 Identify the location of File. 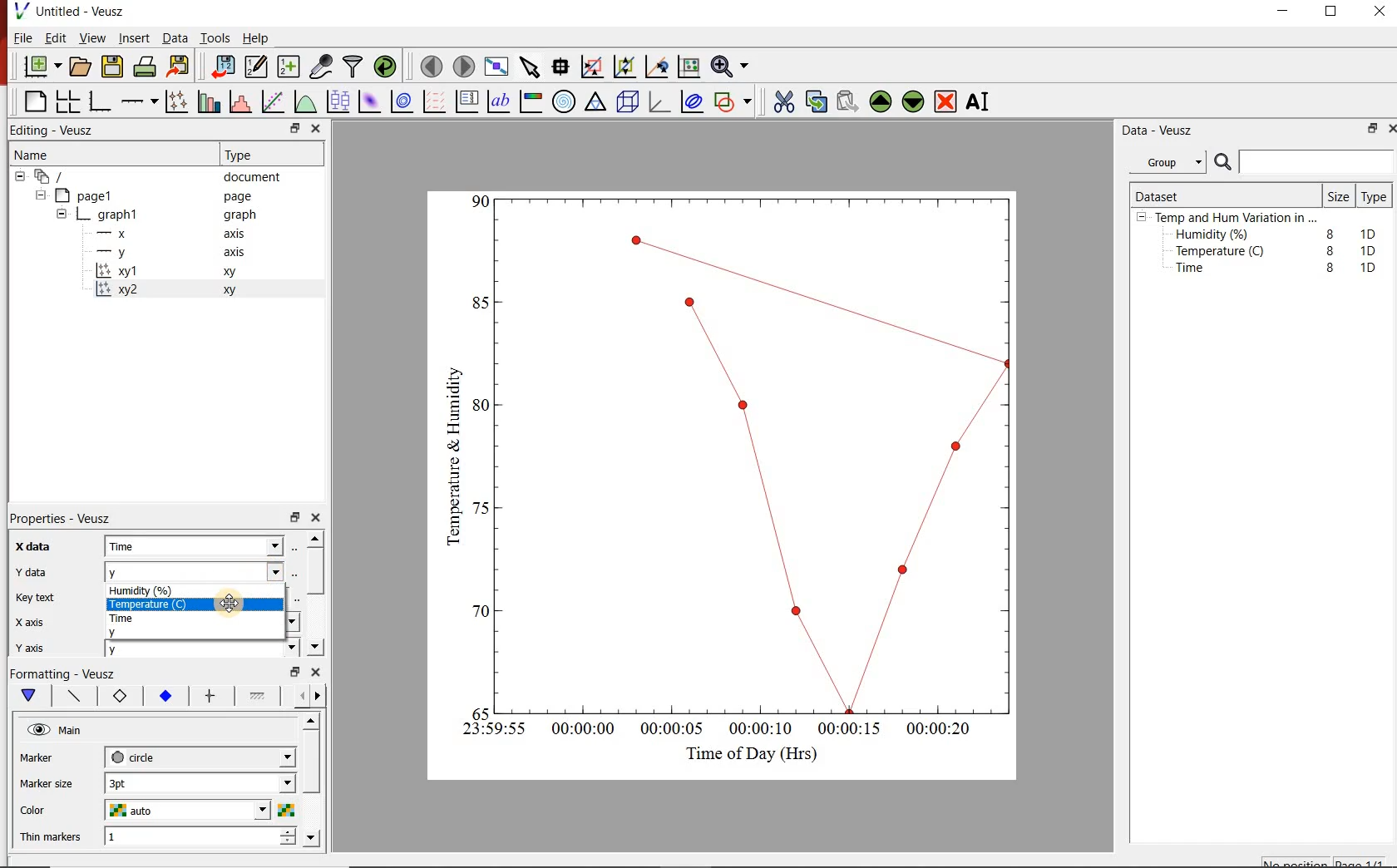
(19, 37).